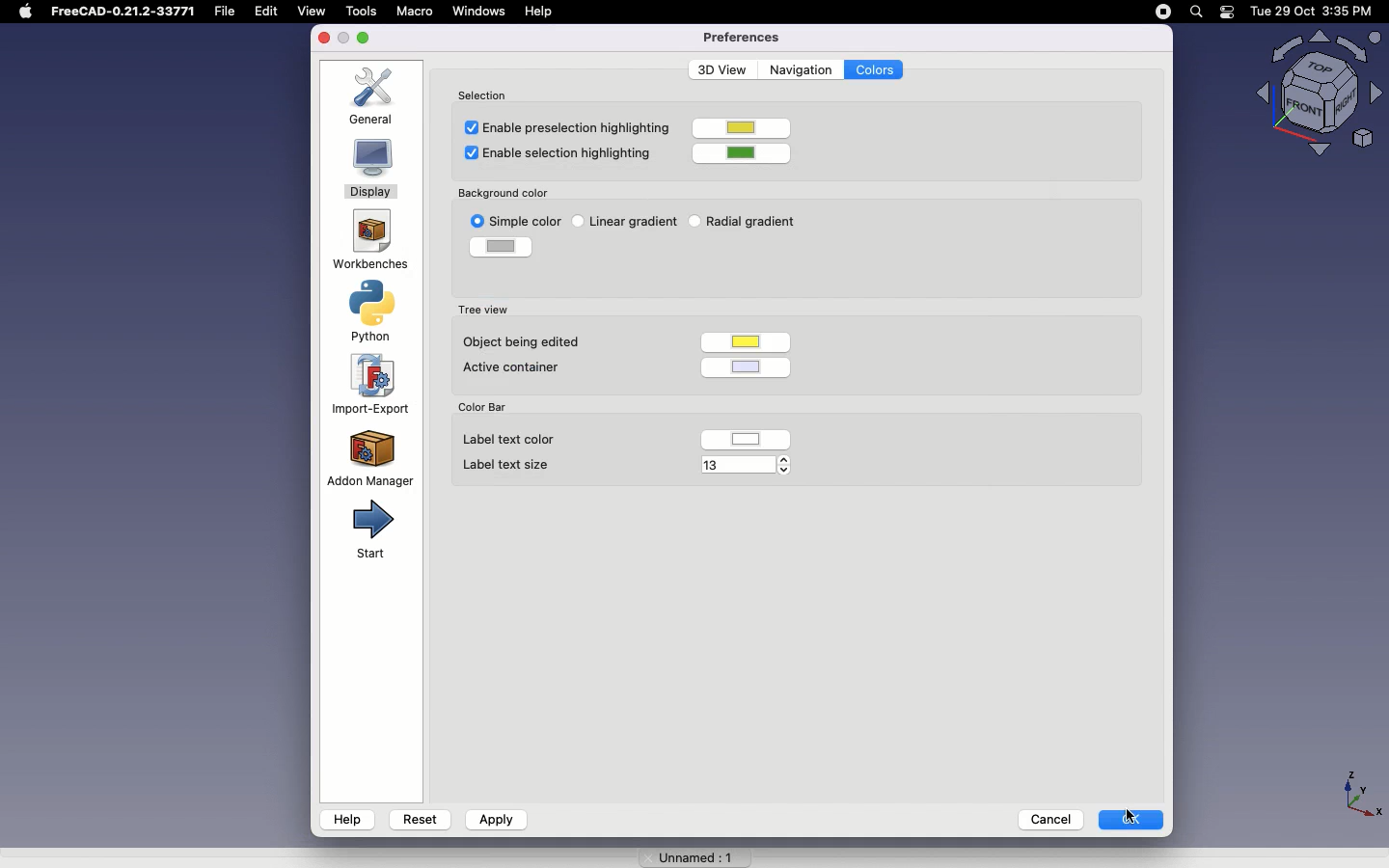 The image size is (1389, 868). What do you see at coordinates (527, 341) in the screenshot?
I see `Object being edited` at bounding box center [527, 341].